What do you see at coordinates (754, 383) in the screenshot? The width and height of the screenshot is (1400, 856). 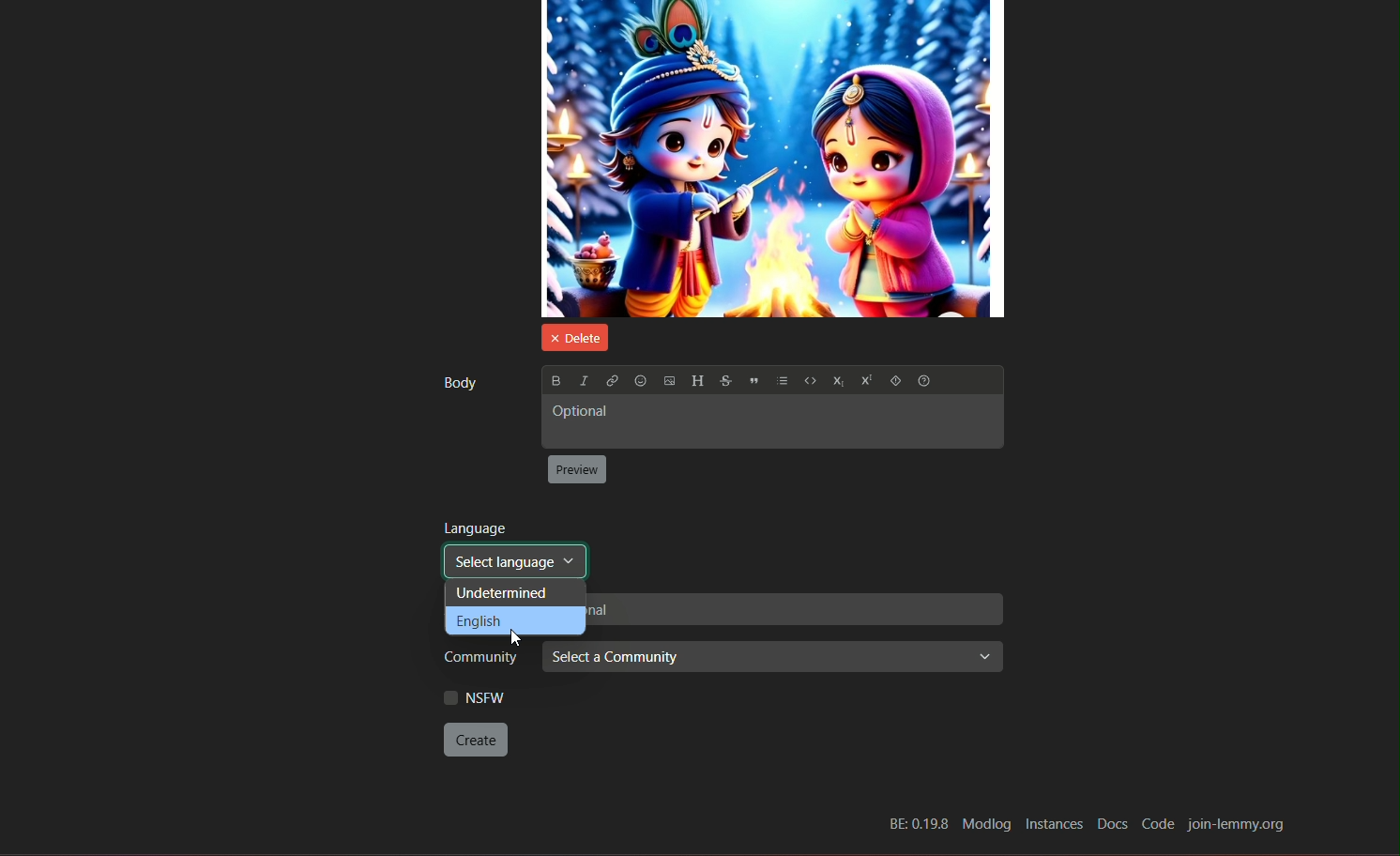 I see `quote` at bounding box center [754, 383].